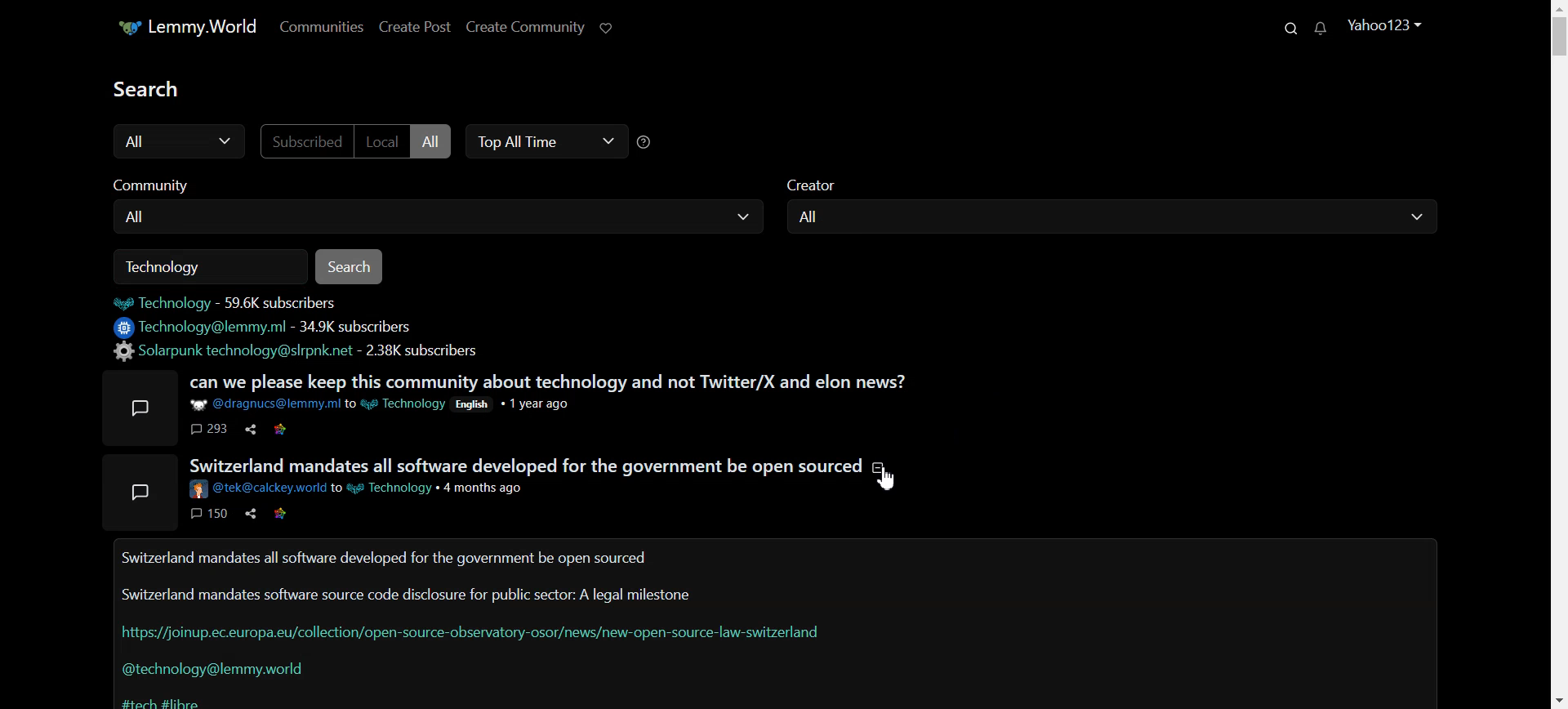 The width and height of the screenshot is (1568, 709). Describe the element at coordinates (385, 558) in the screenshot. I see `Switzerland mandates all software developed for the government be open sourced` at that location.